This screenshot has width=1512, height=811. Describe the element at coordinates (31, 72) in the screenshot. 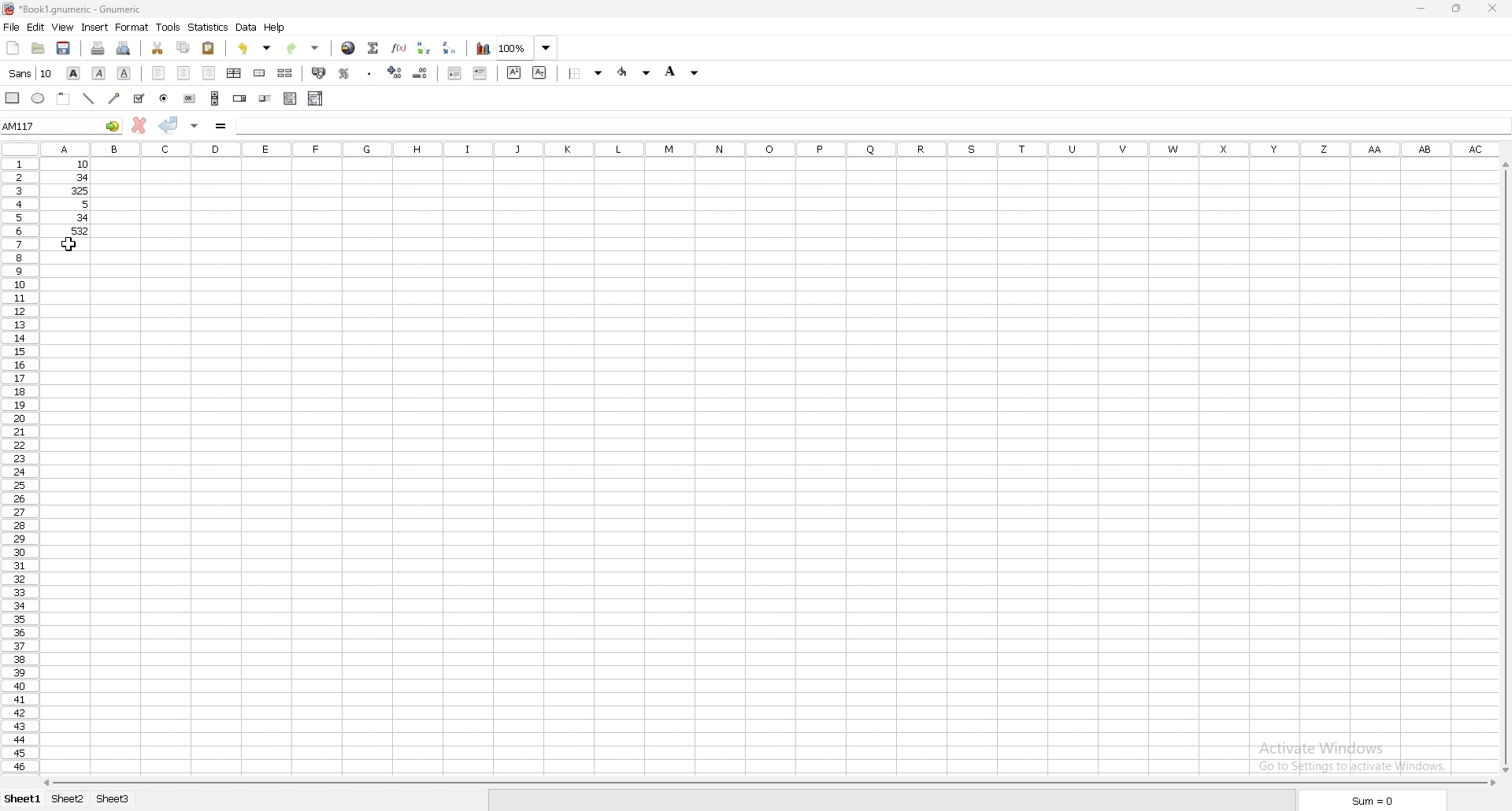

I see `font` at that location.